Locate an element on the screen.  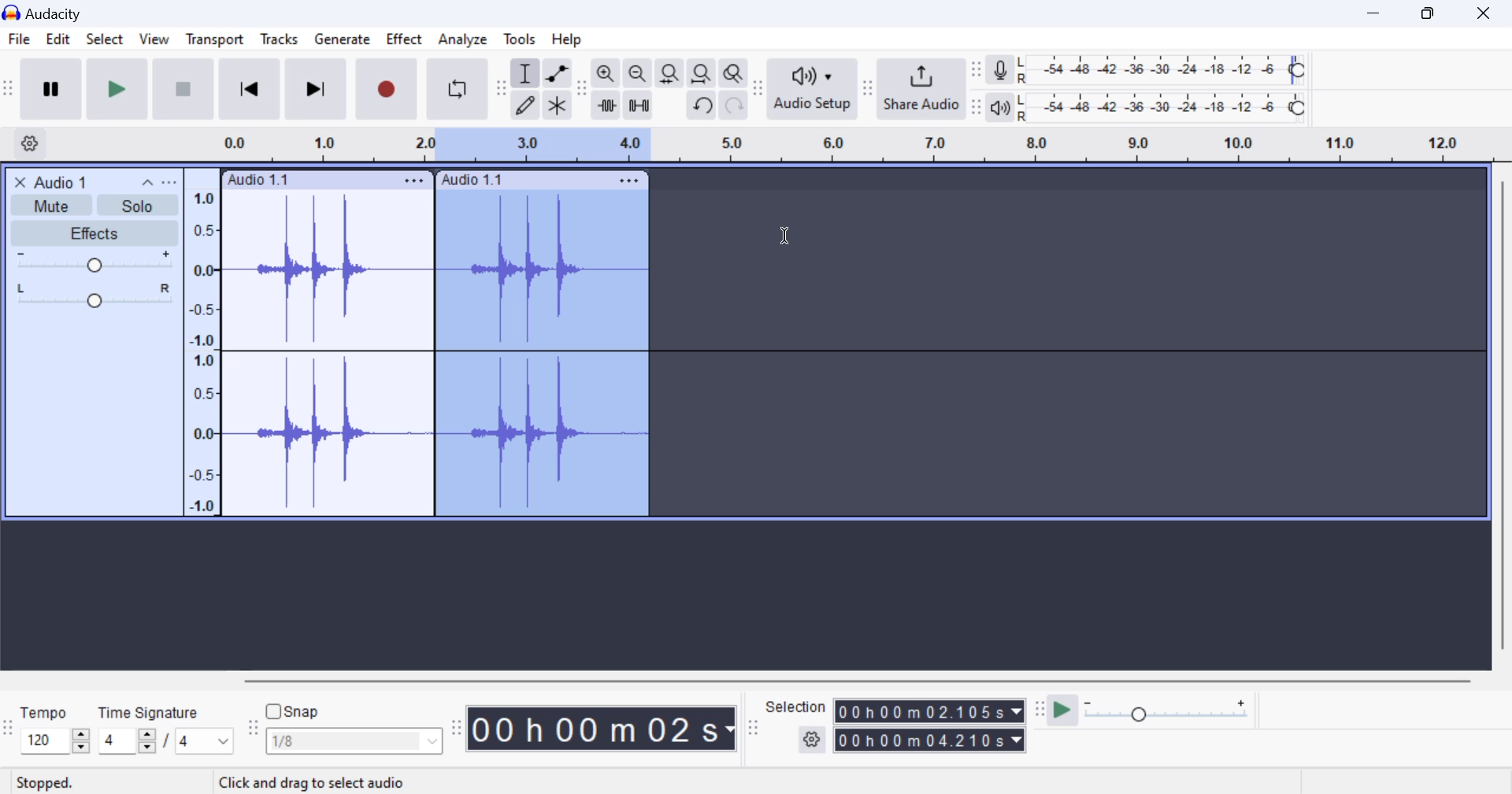
open menu is located at coordinates (169, 182).